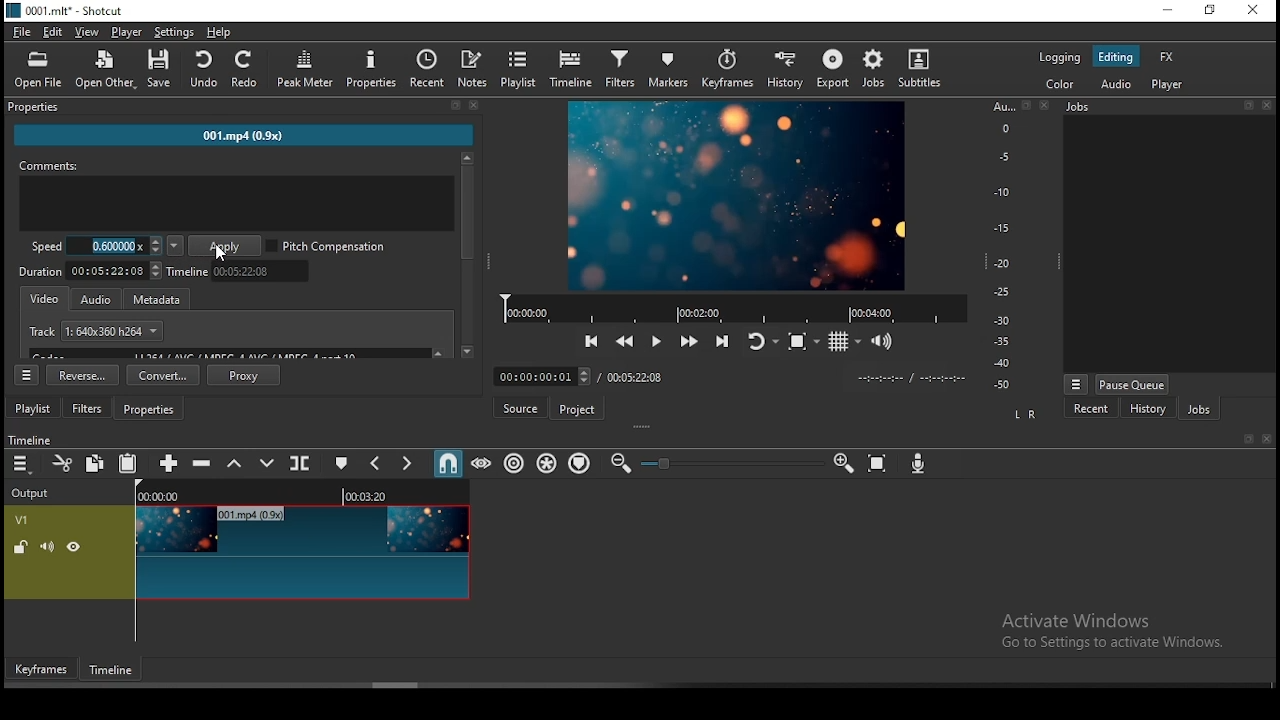 This screenshot has height=720, width=1280. What do you see at coordinates (737, 193) in the screenshot?
I see `preview` at bounding box center [737, 193].